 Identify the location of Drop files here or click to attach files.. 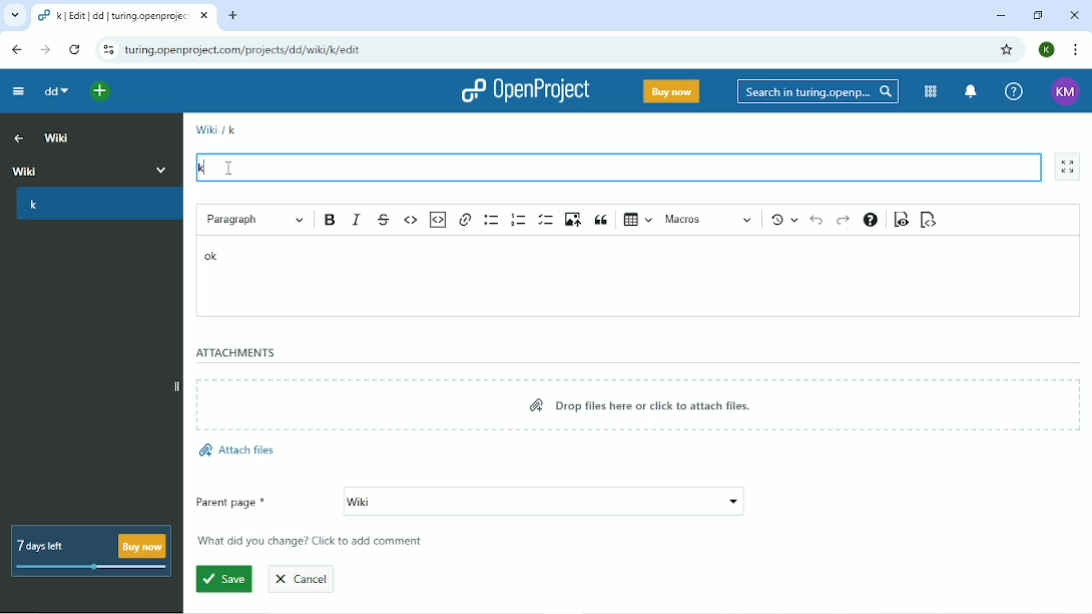
(638, 407).